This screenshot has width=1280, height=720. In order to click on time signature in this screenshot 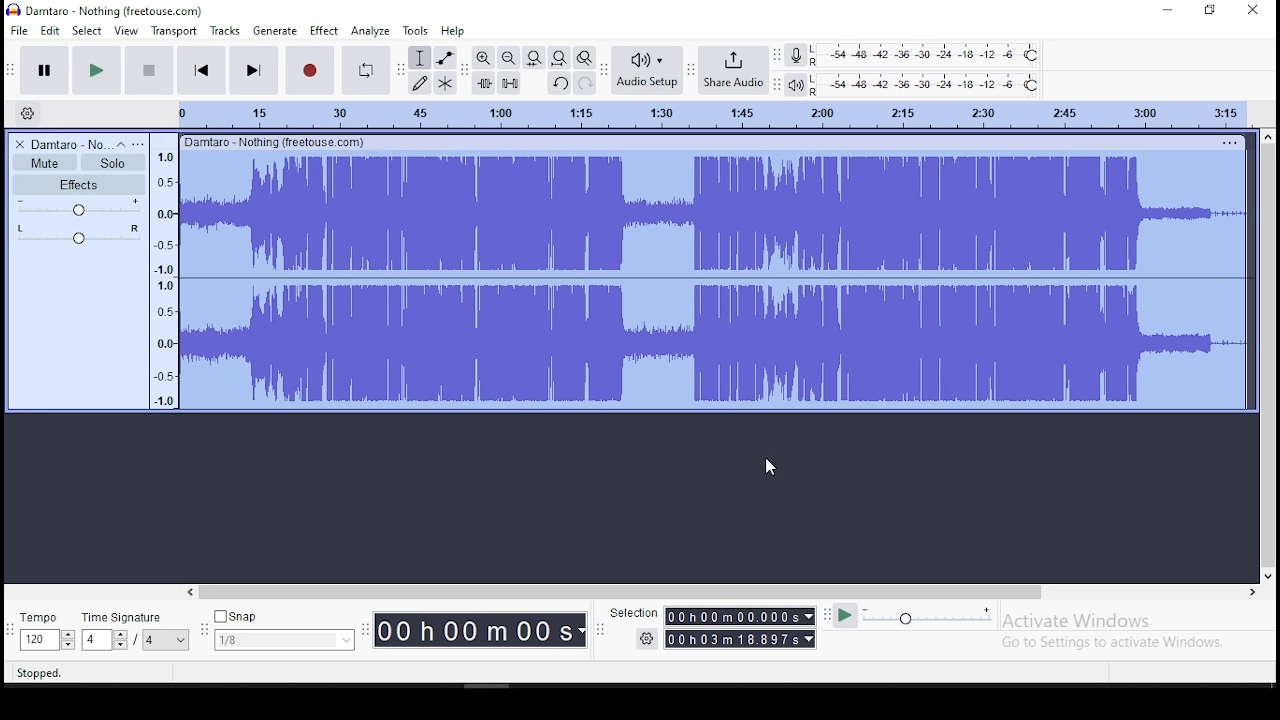, I will do `click(136, 628)`.